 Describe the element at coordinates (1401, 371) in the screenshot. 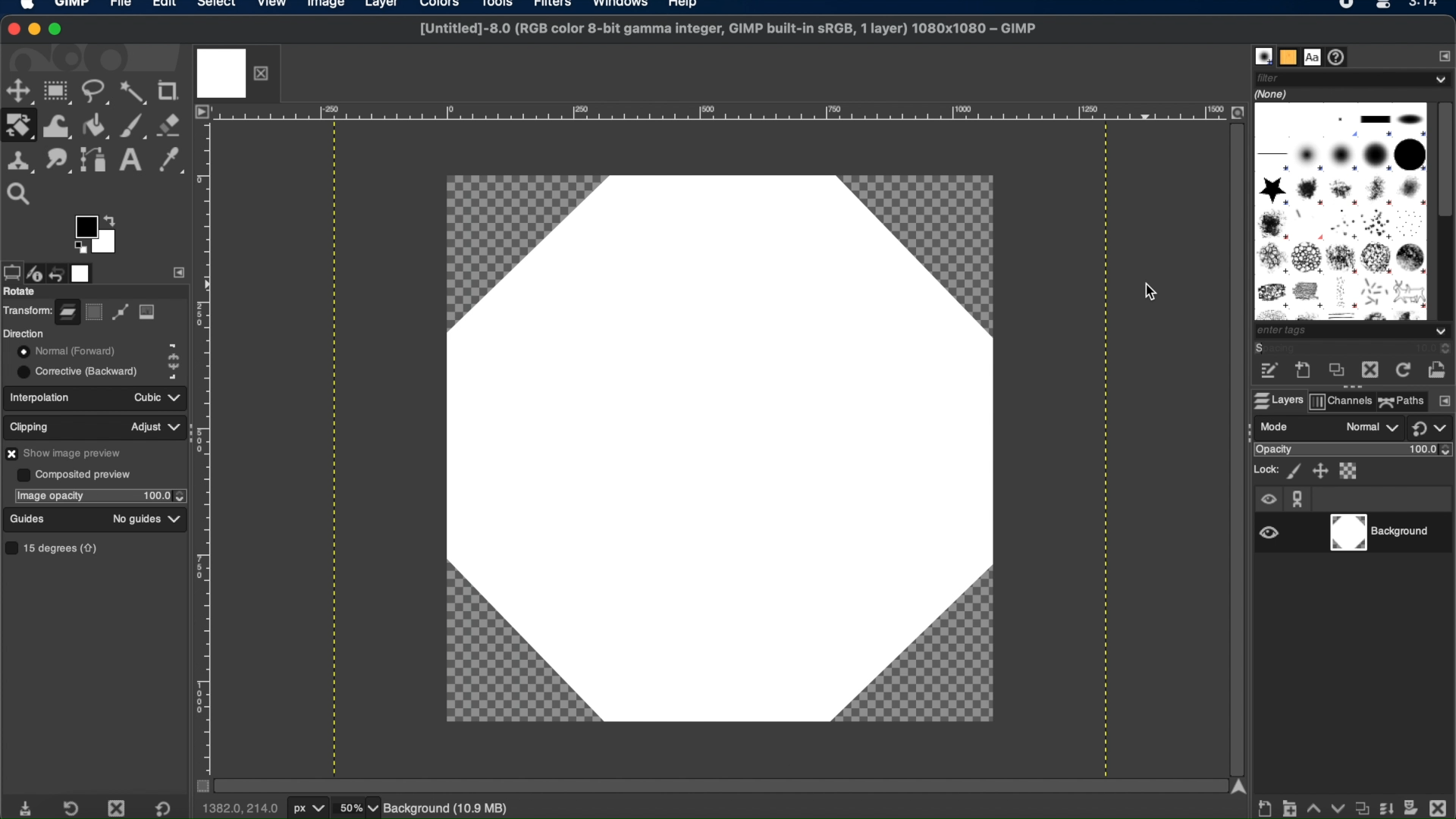

I see `refresh brushes` at that location.